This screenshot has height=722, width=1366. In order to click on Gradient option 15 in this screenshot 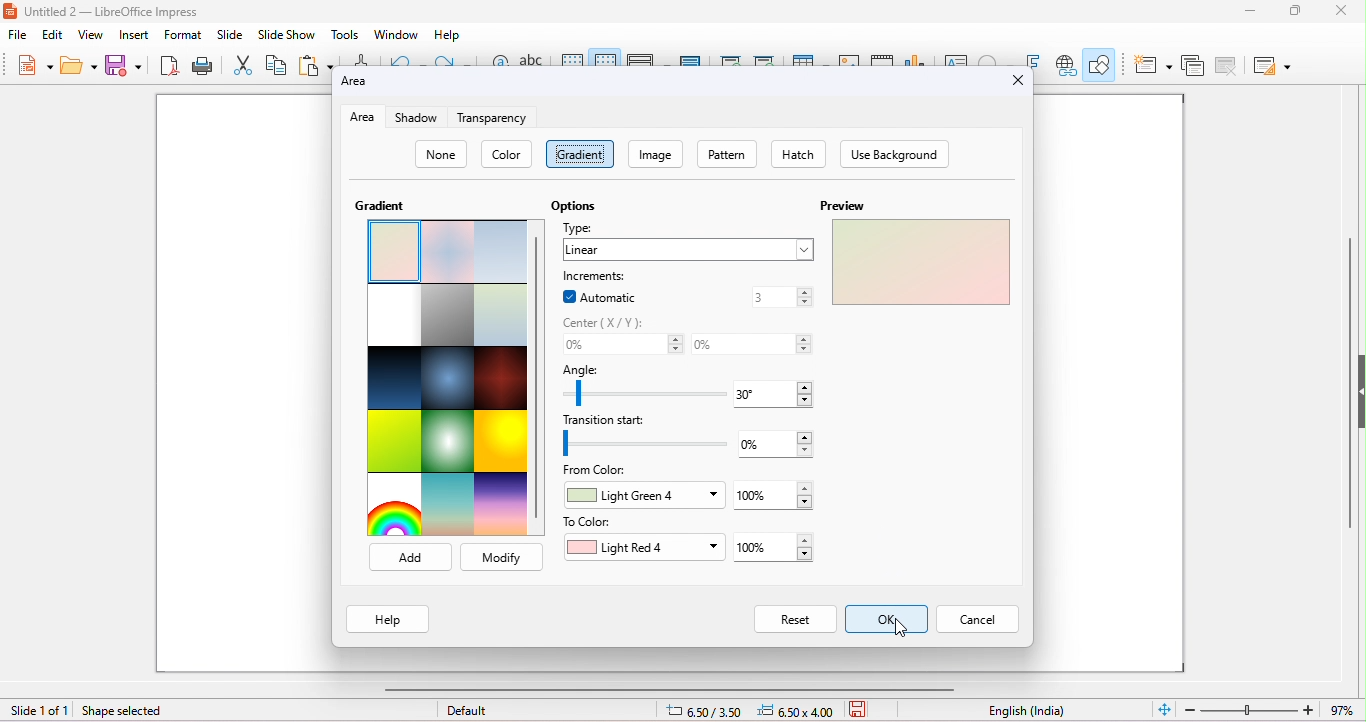, I will do `click(501, 501)`.